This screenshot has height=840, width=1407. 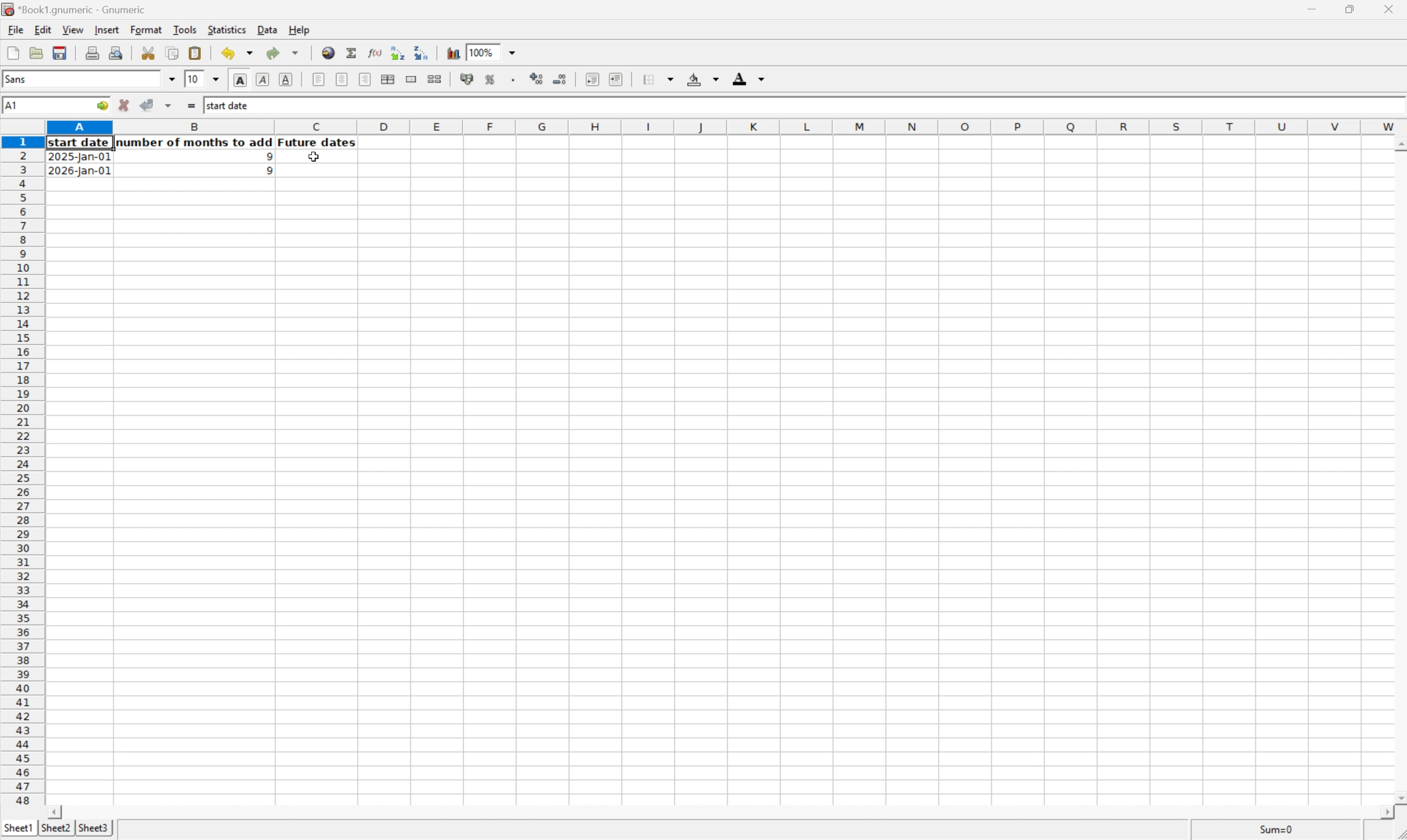 What do you see at coordinates (703, 79) in the screenshot?
I see `Background` at bounding box center [703, 79].